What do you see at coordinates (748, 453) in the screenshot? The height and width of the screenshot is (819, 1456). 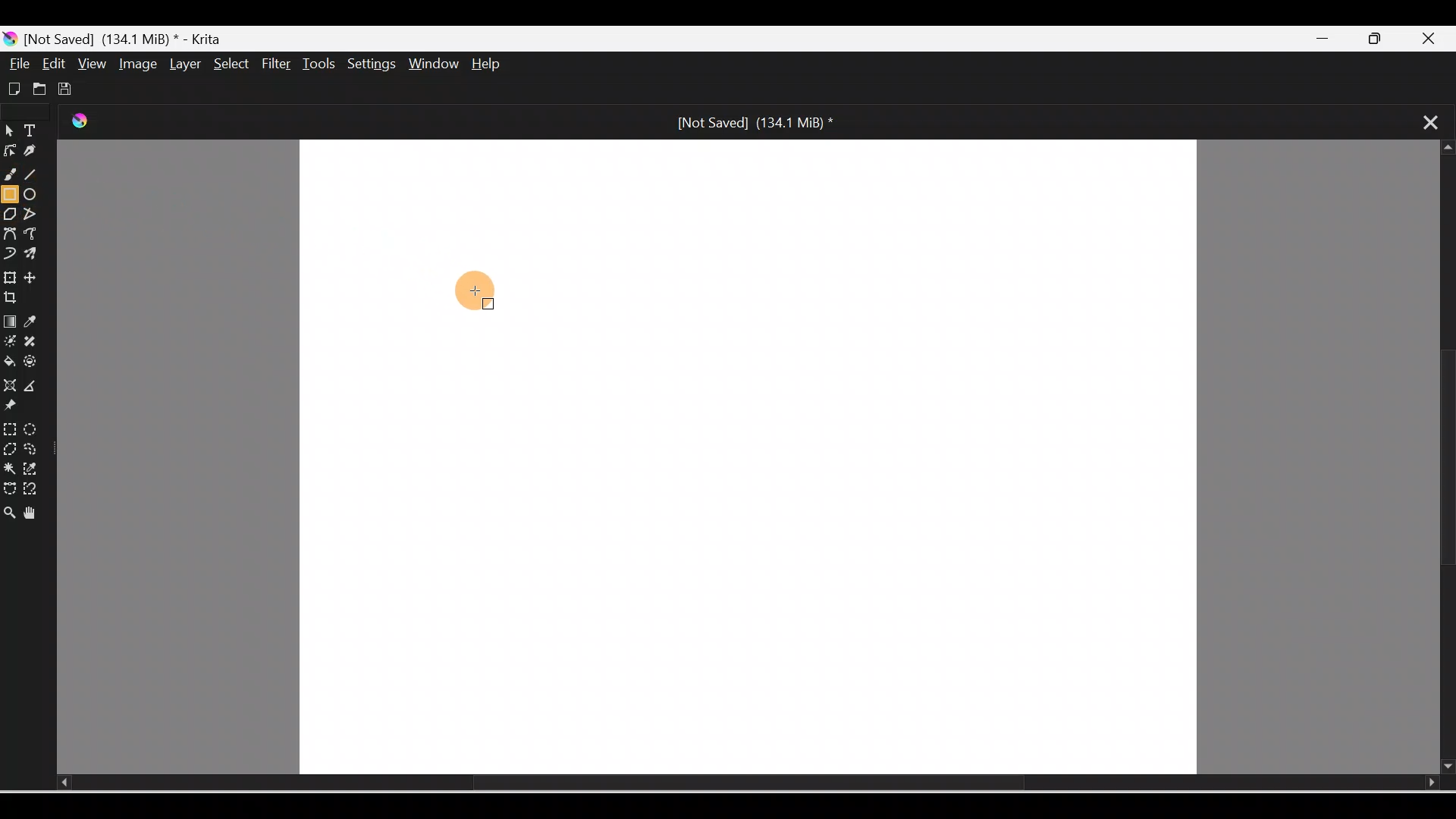 I see `Canvas` at bounding box center [748, 453].